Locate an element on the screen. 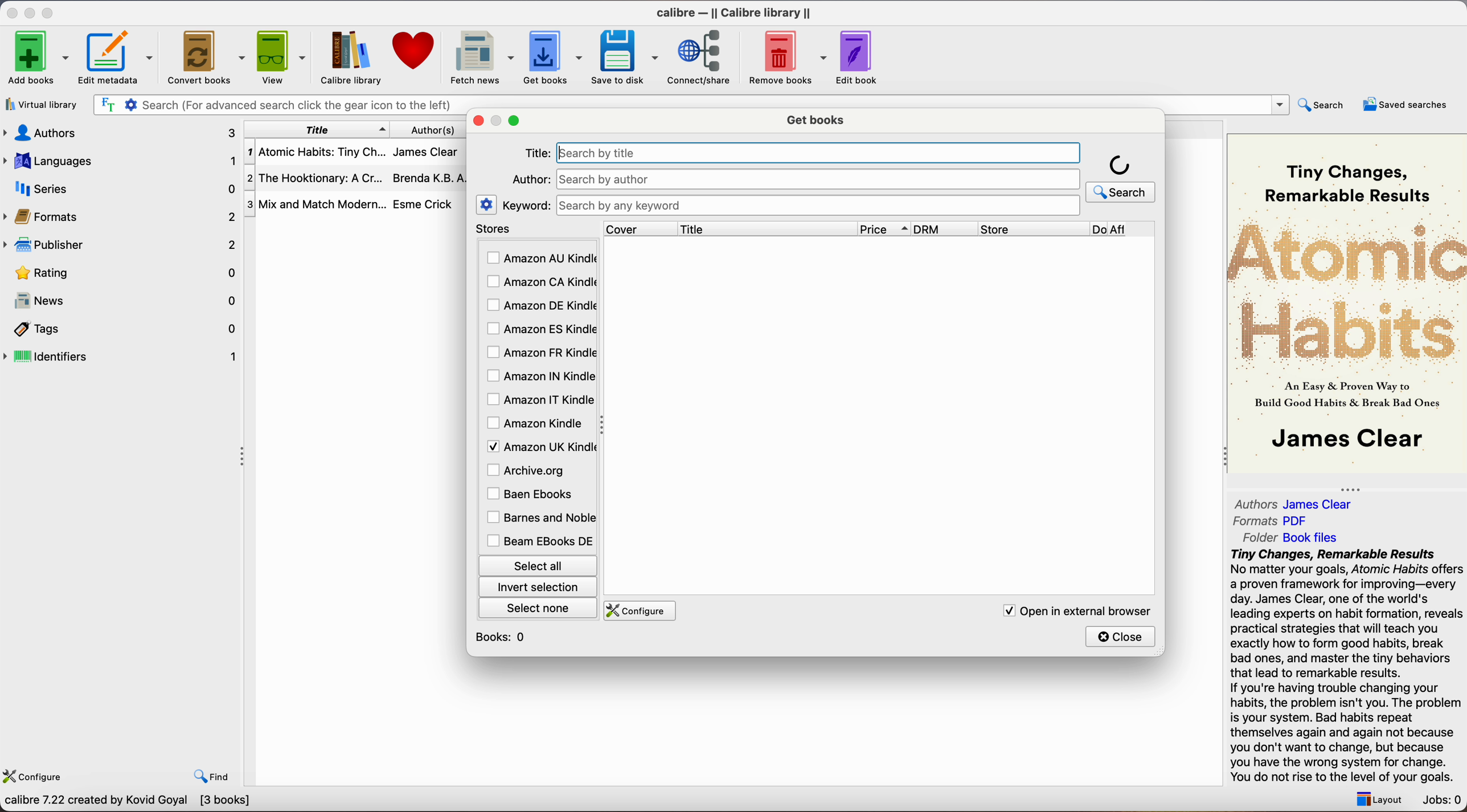 The width and height of the screenshot is (1467, 812). fetch news is located at coordinates (480, 58).